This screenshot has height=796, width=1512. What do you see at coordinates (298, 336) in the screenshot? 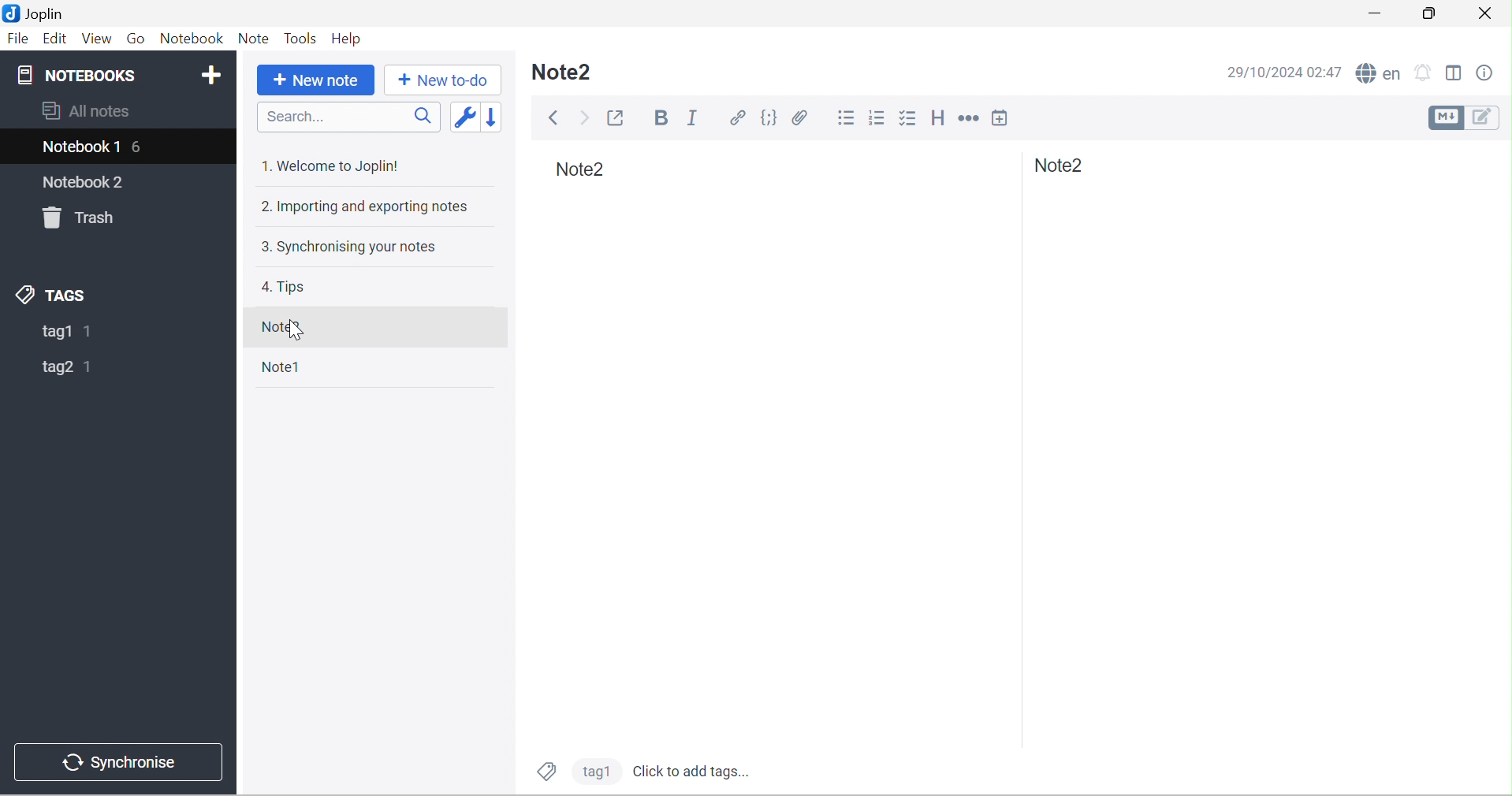
I see `cursor` at bounding box center [298, 336].